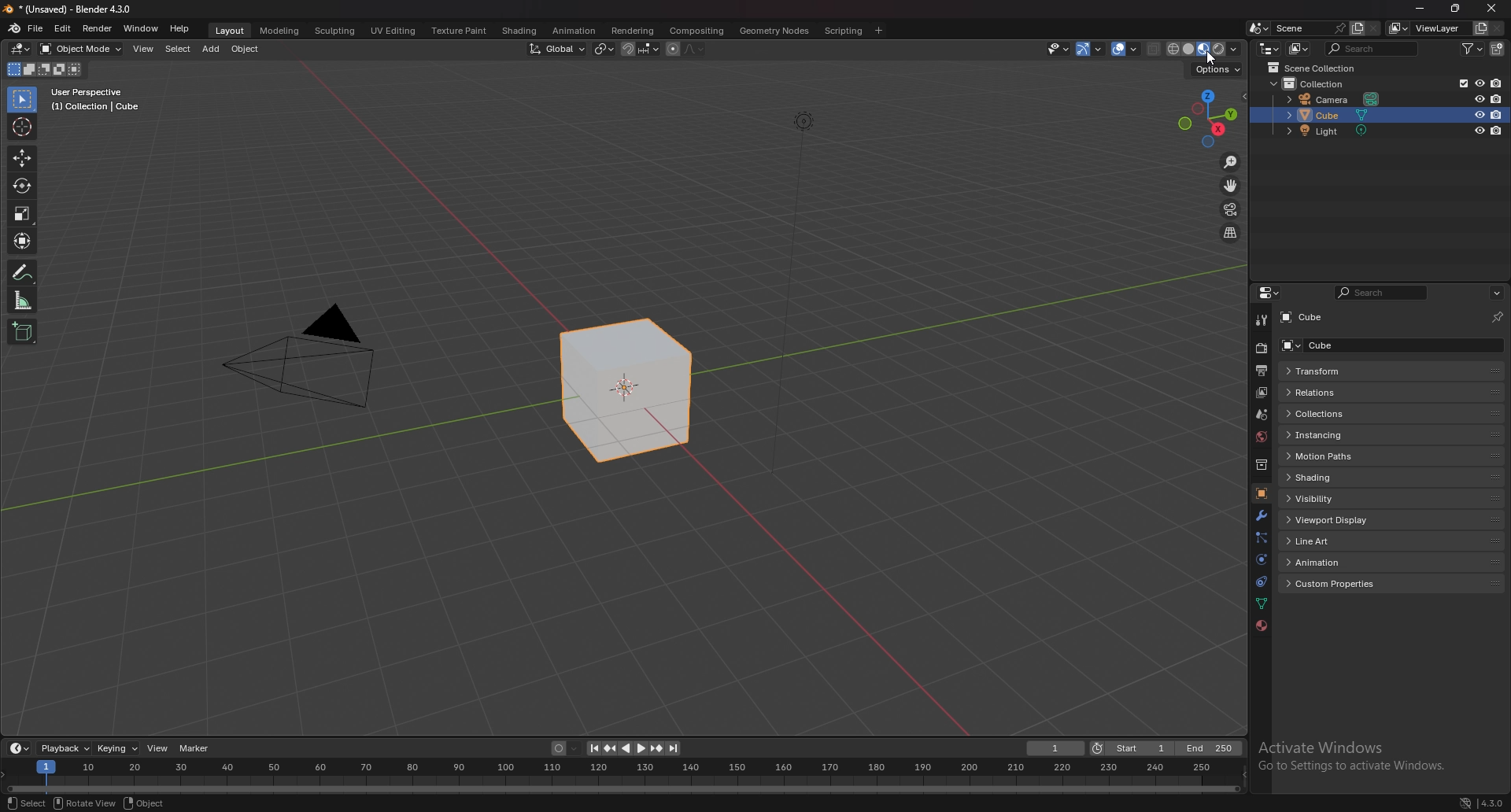  I want to click on custom properties, so click(1346, 584).